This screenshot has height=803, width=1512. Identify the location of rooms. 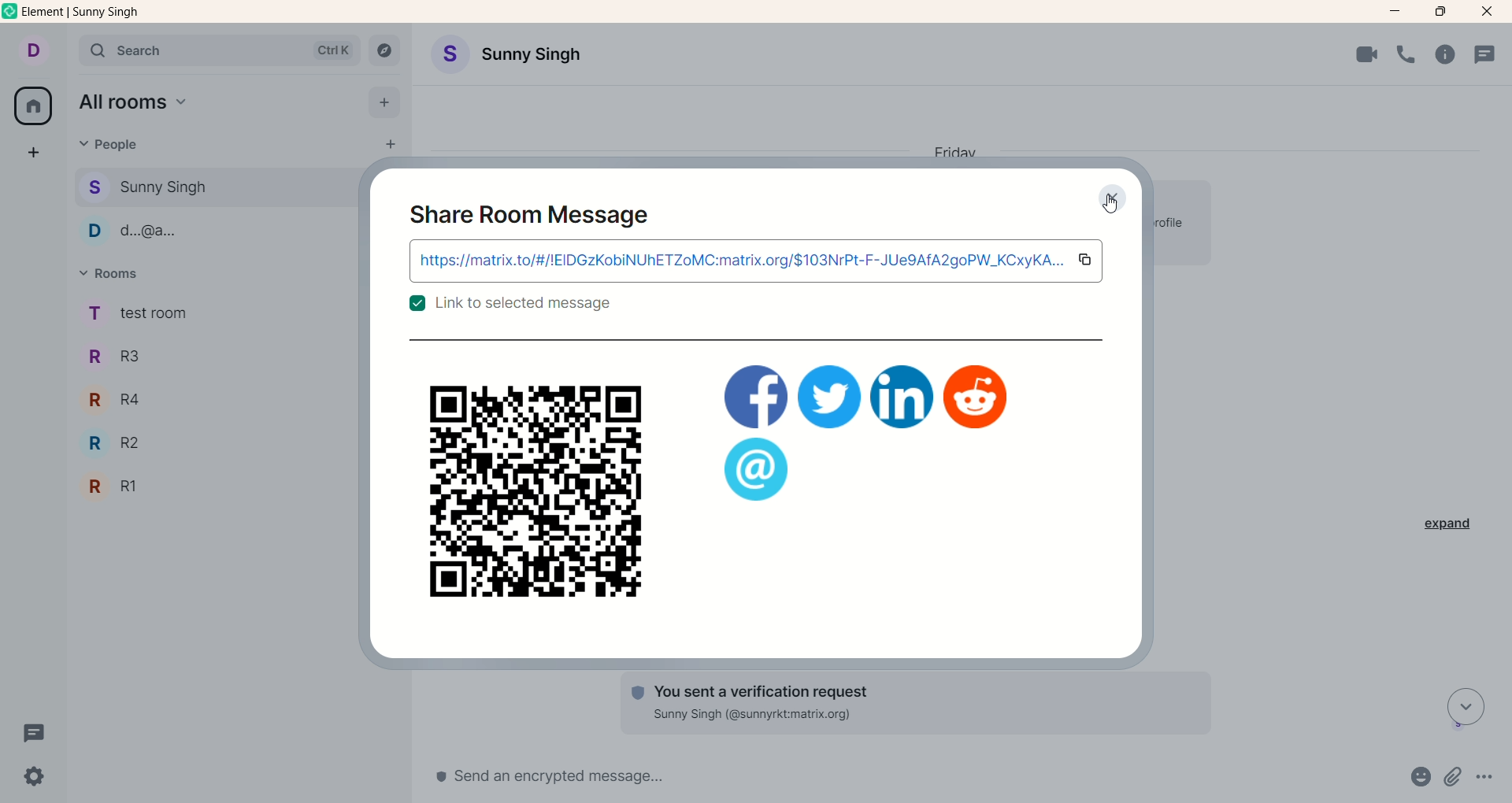
(112, 276).